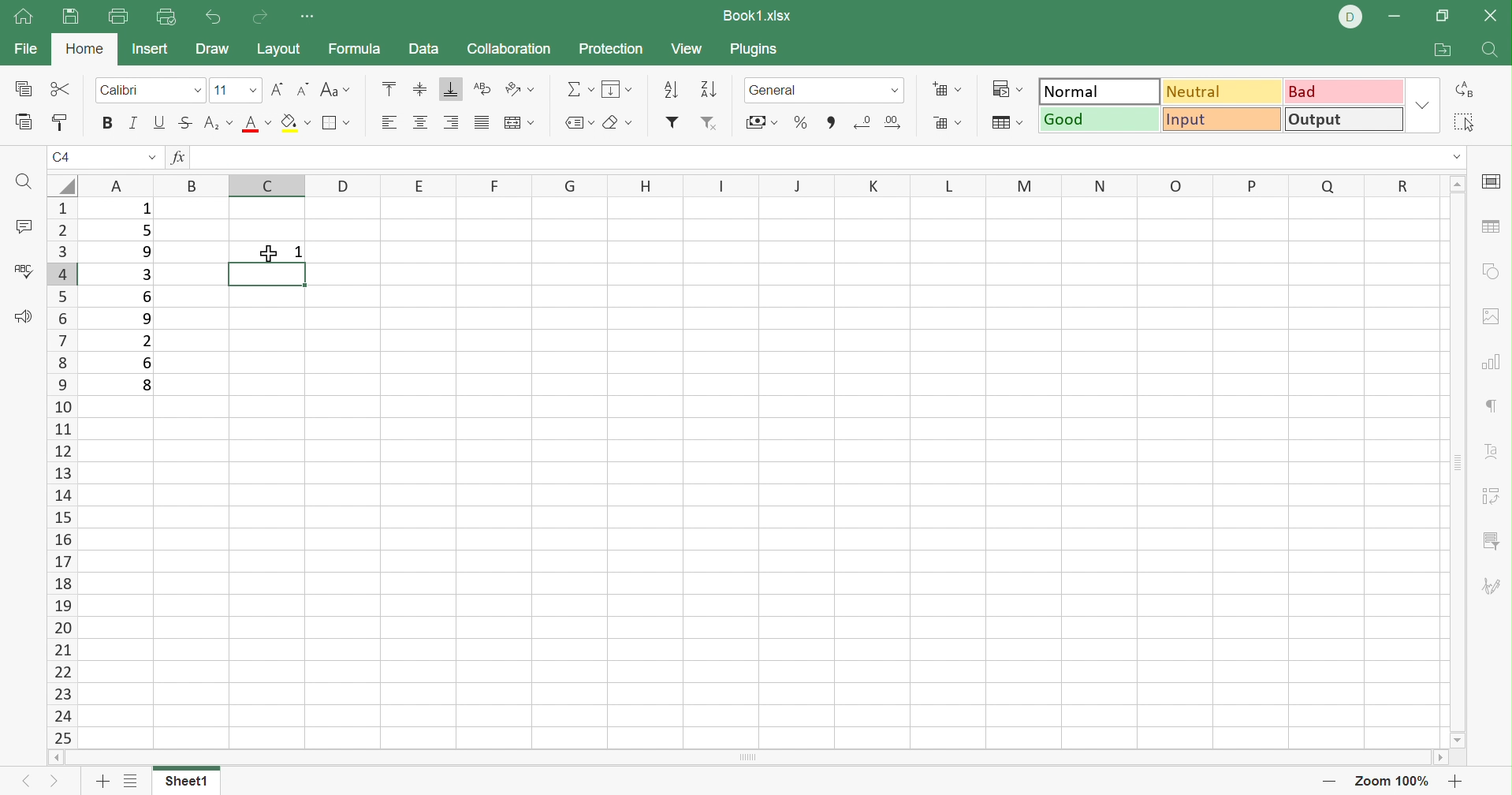 Image resolution: width=1512 pixels, height=795 pixels. Describe the element at coordinates (123, 90) in the screenshot. I see `Calibri` at that location.